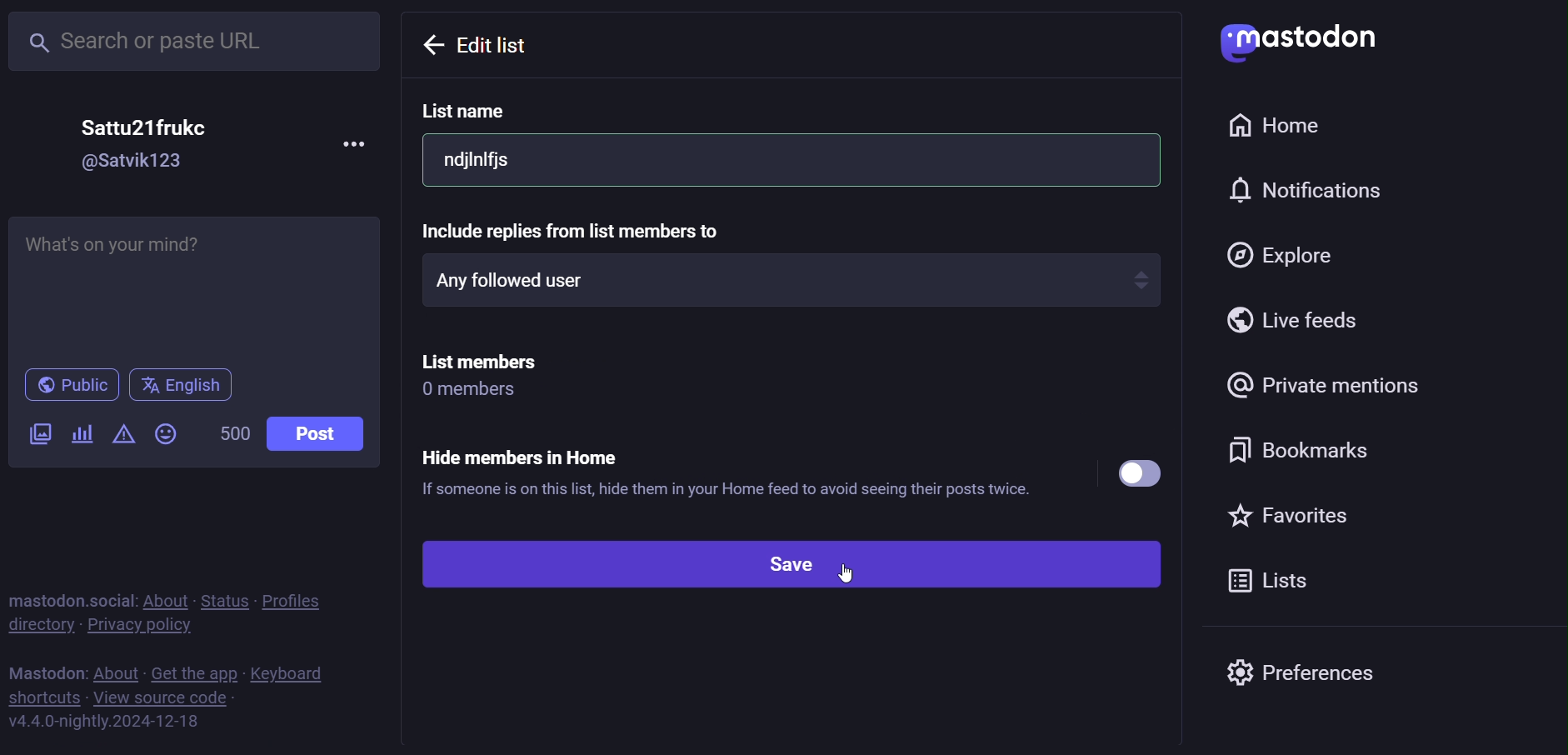 Image resolution: width=1568 pixels, height=755 pixels. Describe the element at coordinates (1301, 516) in the screenshot. I see `favorite` at that location.